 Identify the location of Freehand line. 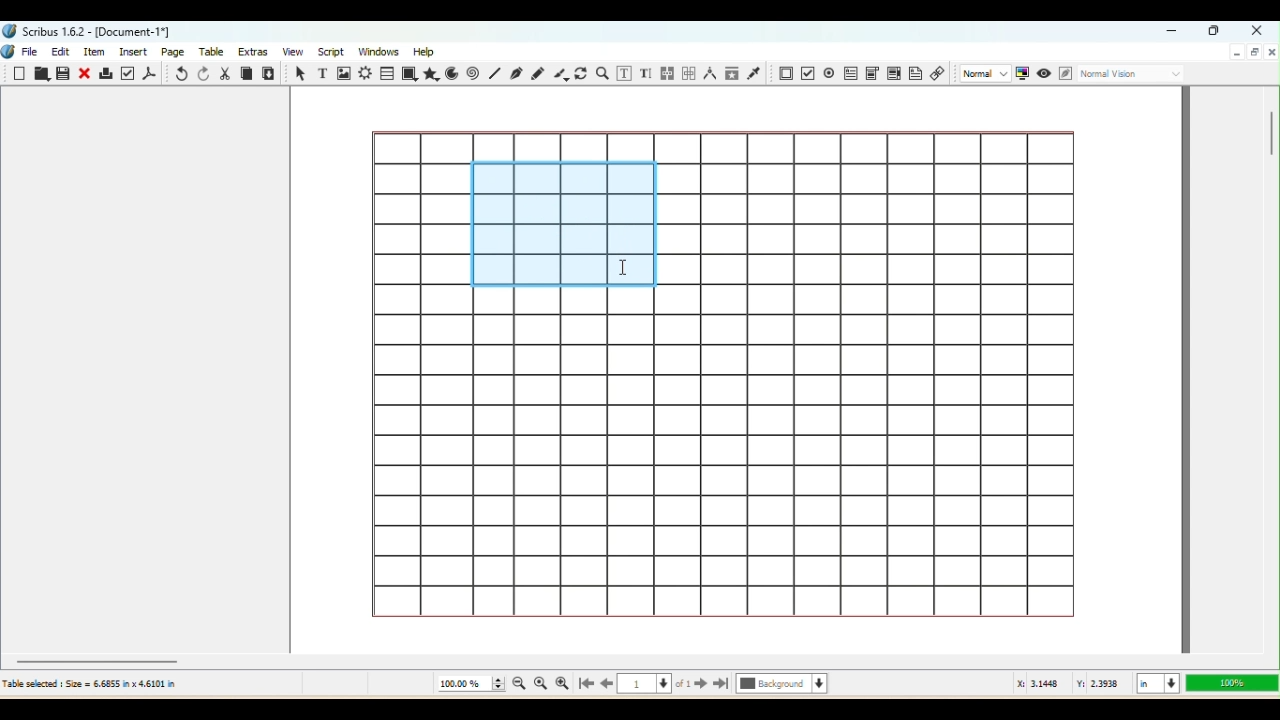
(537, 72).